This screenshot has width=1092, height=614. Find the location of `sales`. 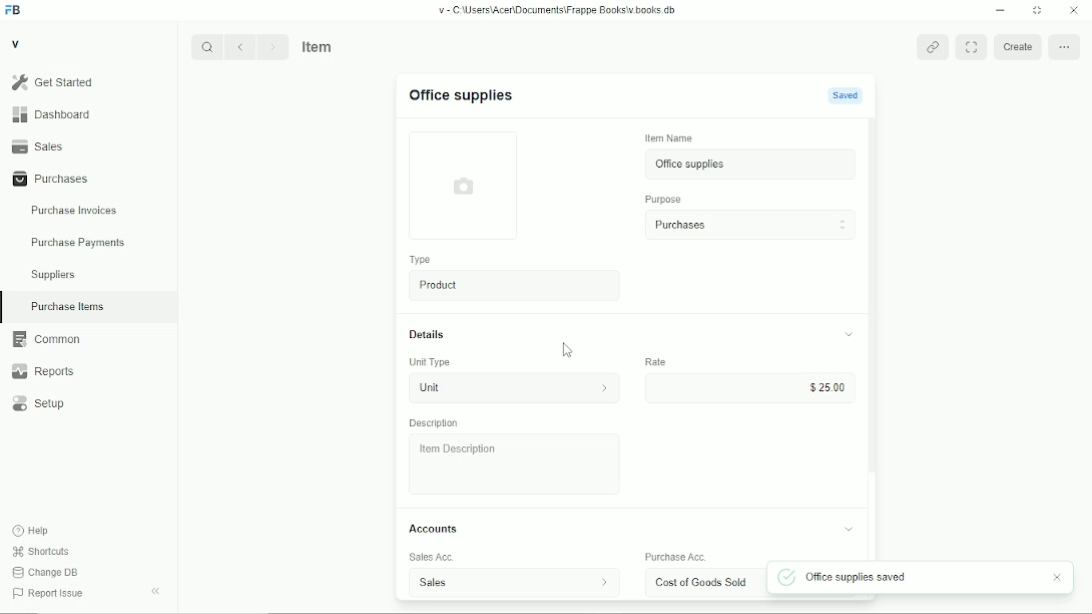

sales is located at coordinates (38, 146).